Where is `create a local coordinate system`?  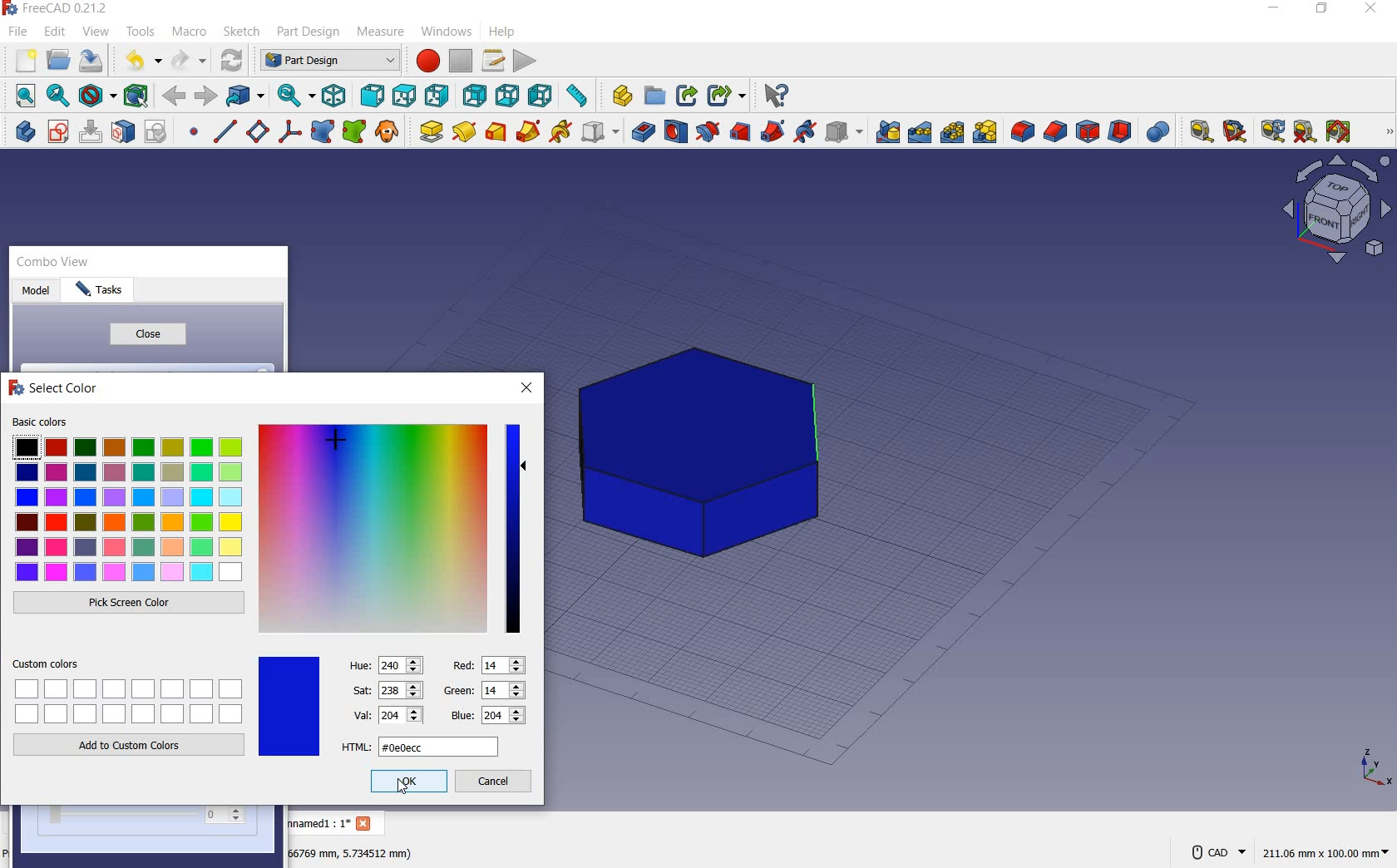 create a local coordinate system is located at coordinates (289, 134).